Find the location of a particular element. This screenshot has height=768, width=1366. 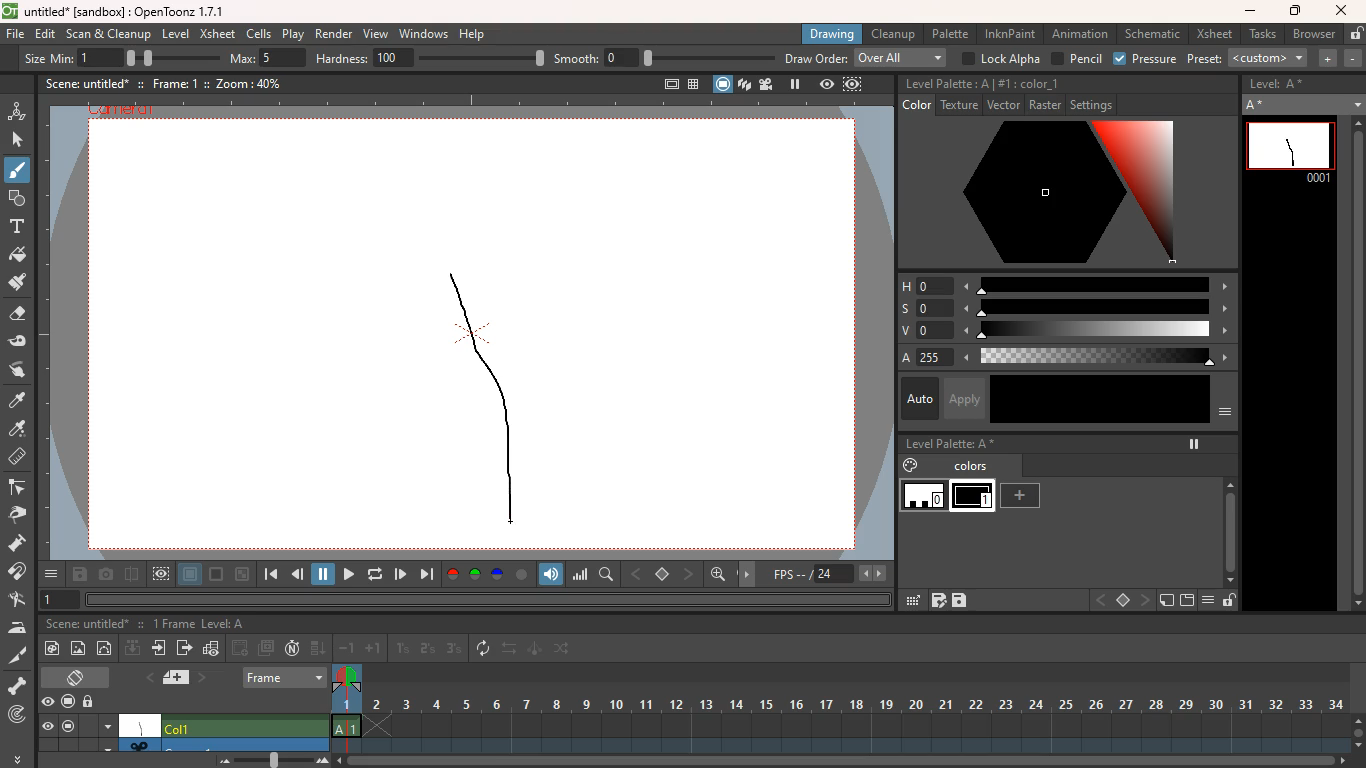

Col1 is located at coordinates (244, 726).